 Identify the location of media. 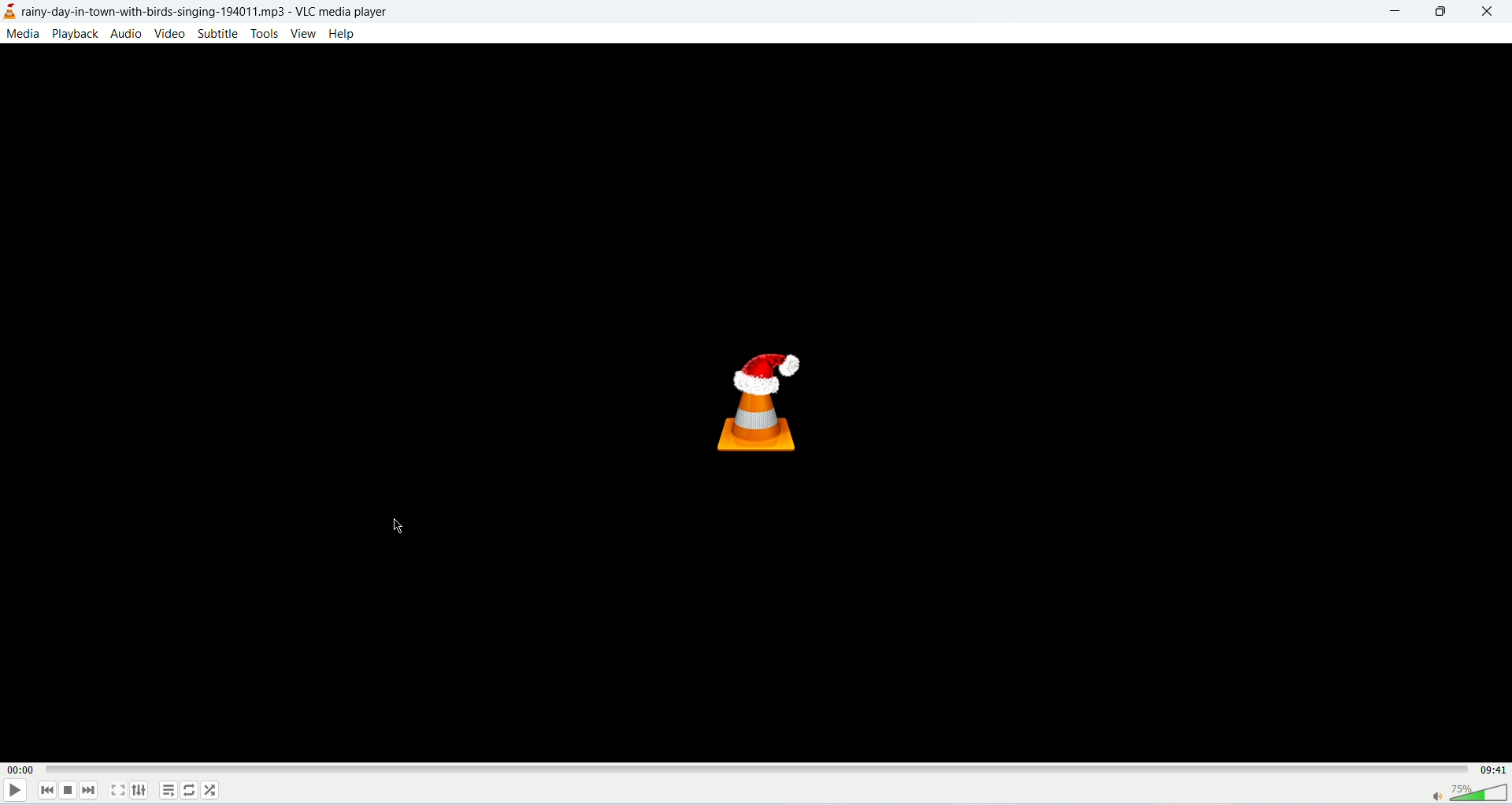
(26, 35).